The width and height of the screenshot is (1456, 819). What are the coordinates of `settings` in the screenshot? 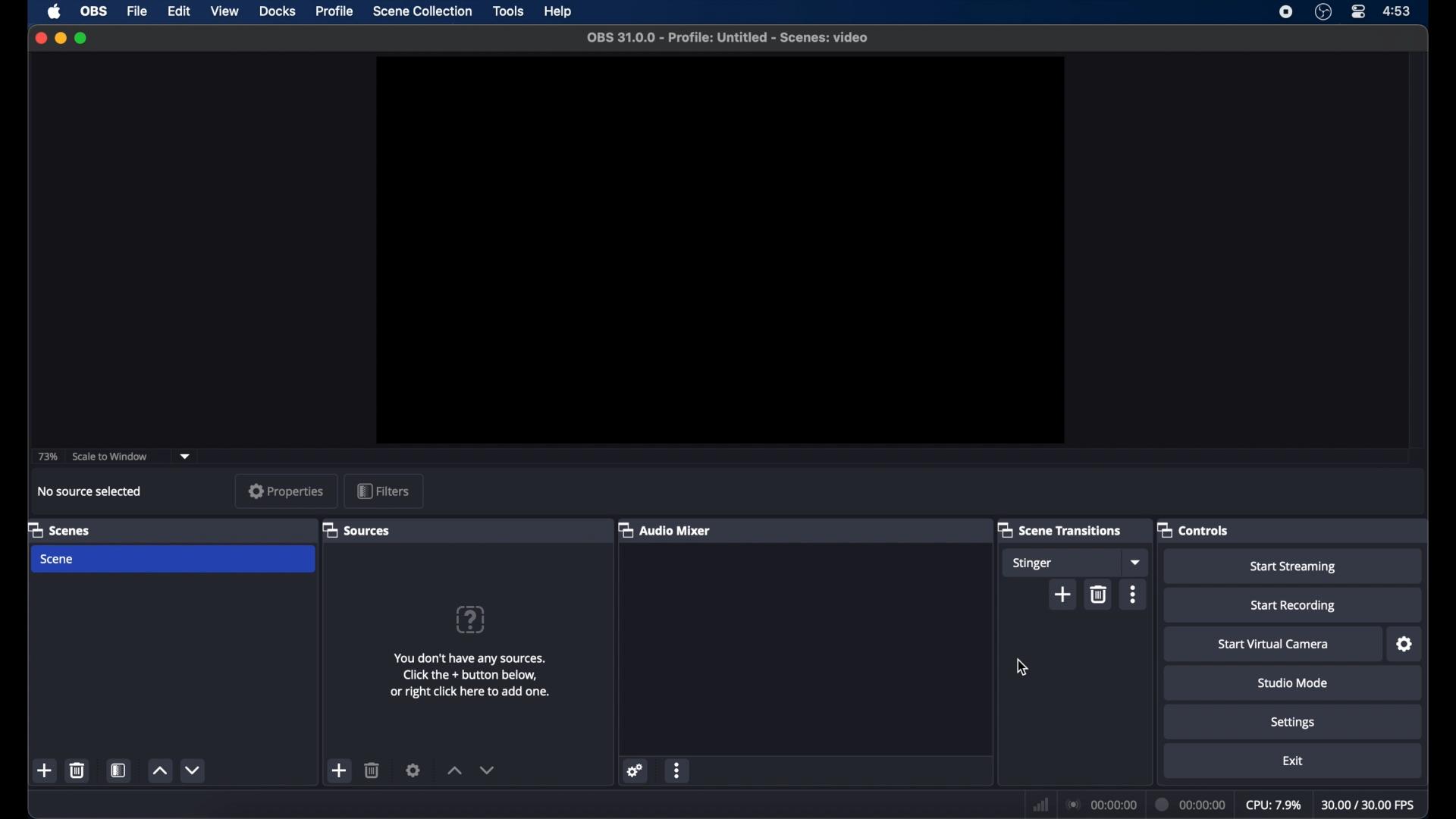 It's located at (413, 770).